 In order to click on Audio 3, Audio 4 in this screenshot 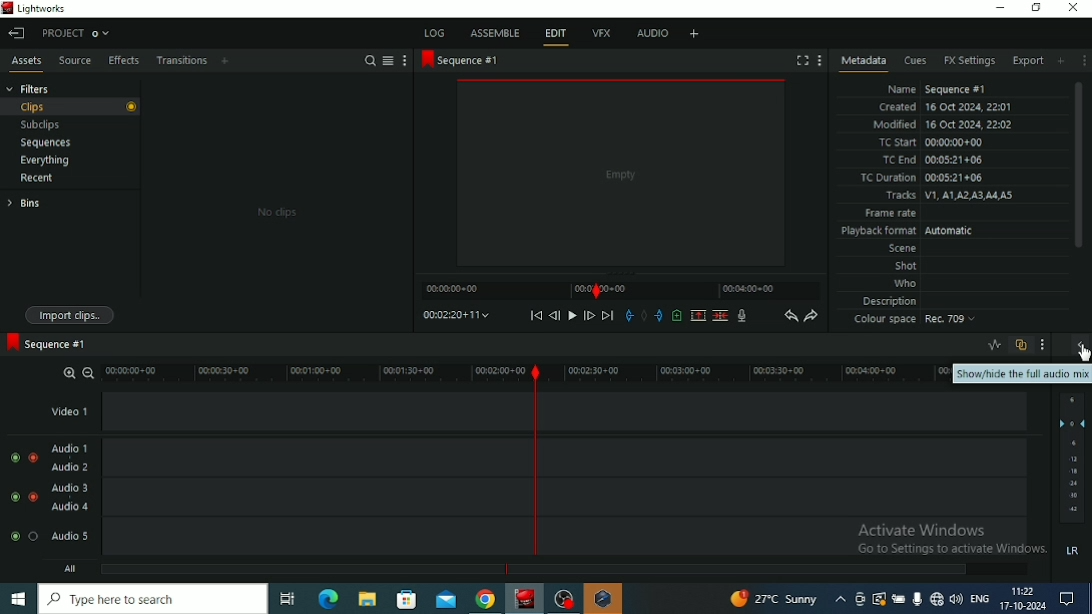, I will do `click(541, 497)`.